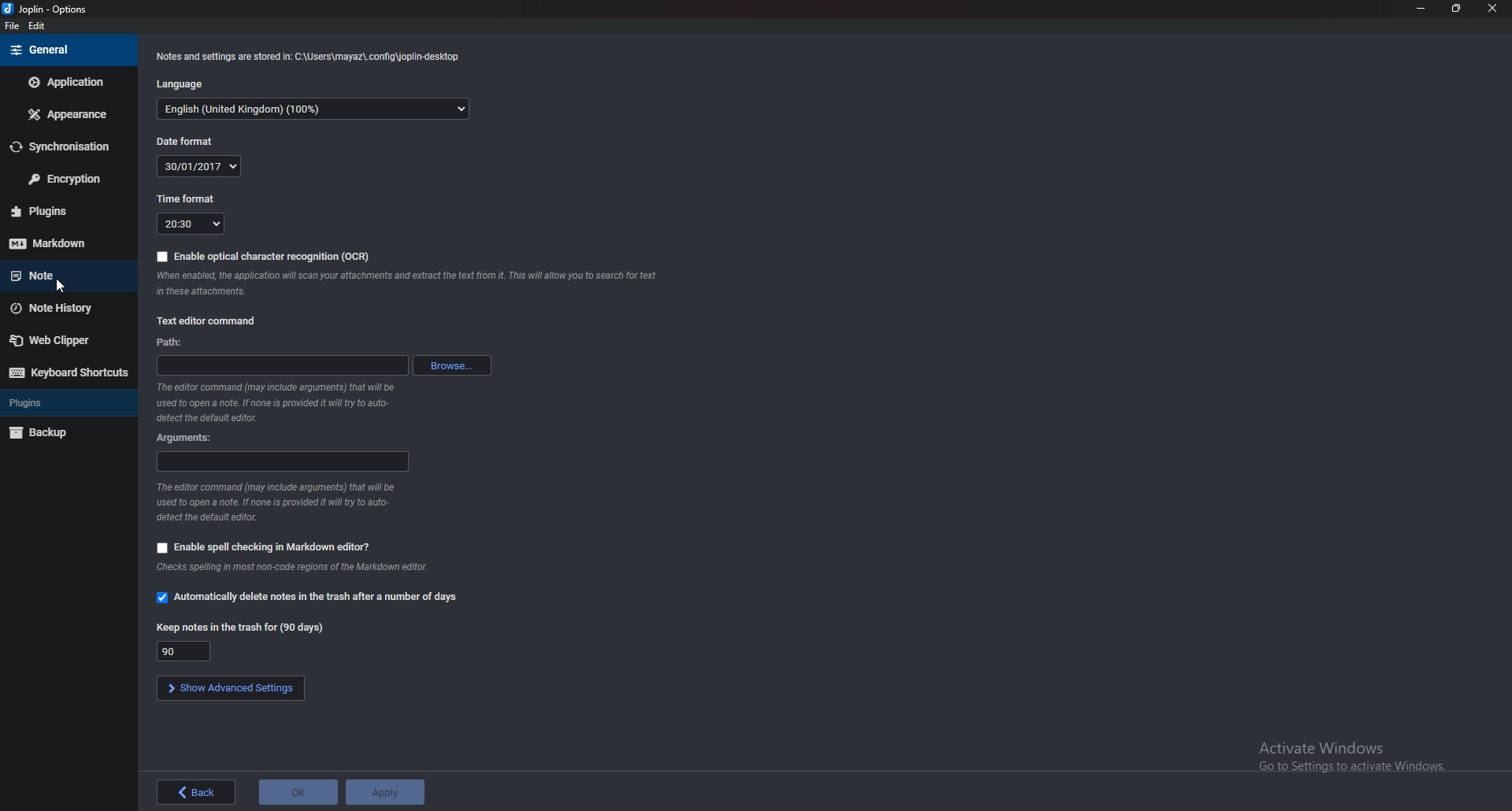 The height and width of the screenshot is (811, 1512). What do you see at coordinates (56, 403) in the screenshot?
I see `Plugins` at bounding box center [56, 403].